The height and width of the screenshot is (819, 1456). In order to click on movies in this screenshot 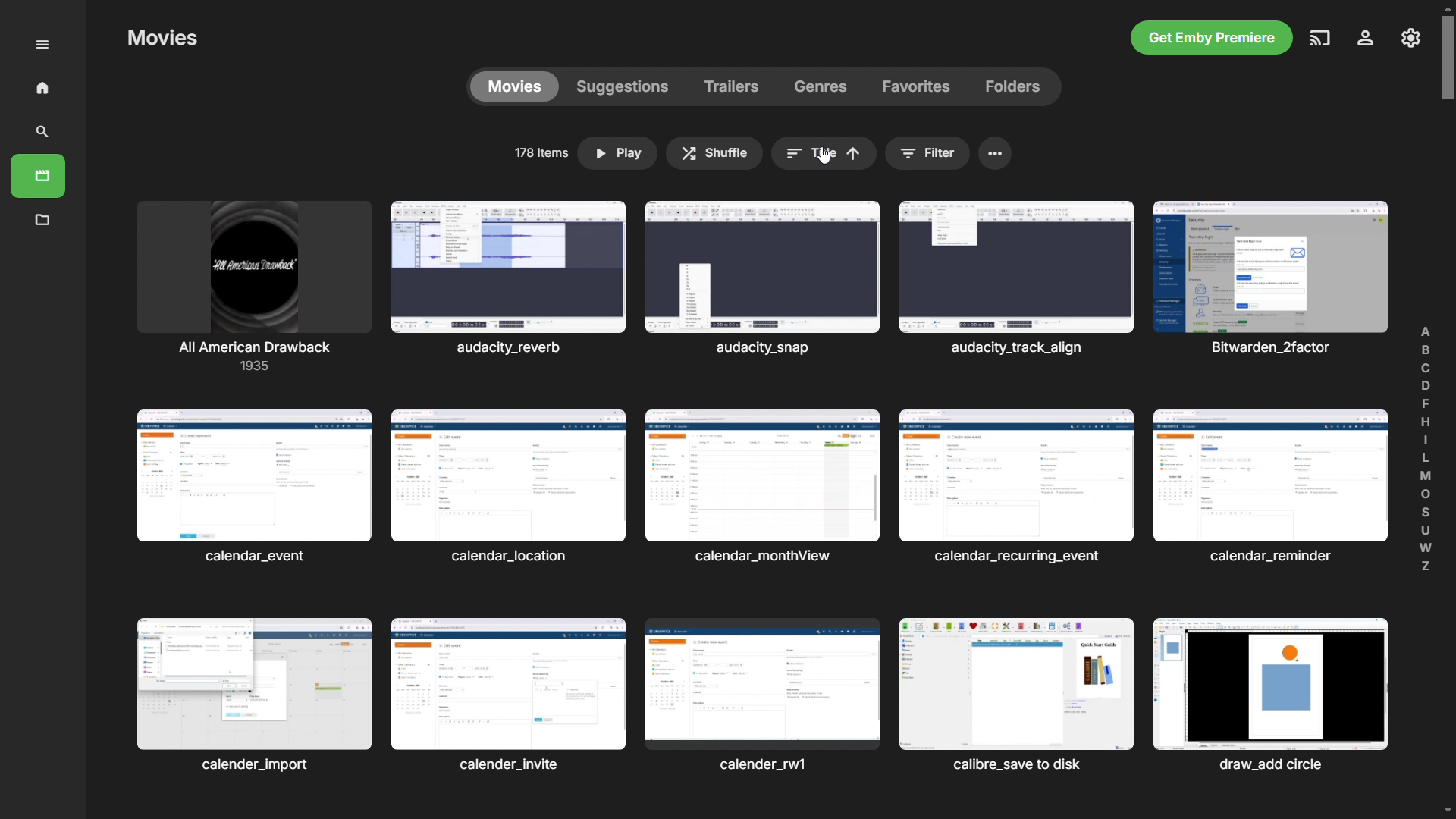, I will do `click(517, 88)`.